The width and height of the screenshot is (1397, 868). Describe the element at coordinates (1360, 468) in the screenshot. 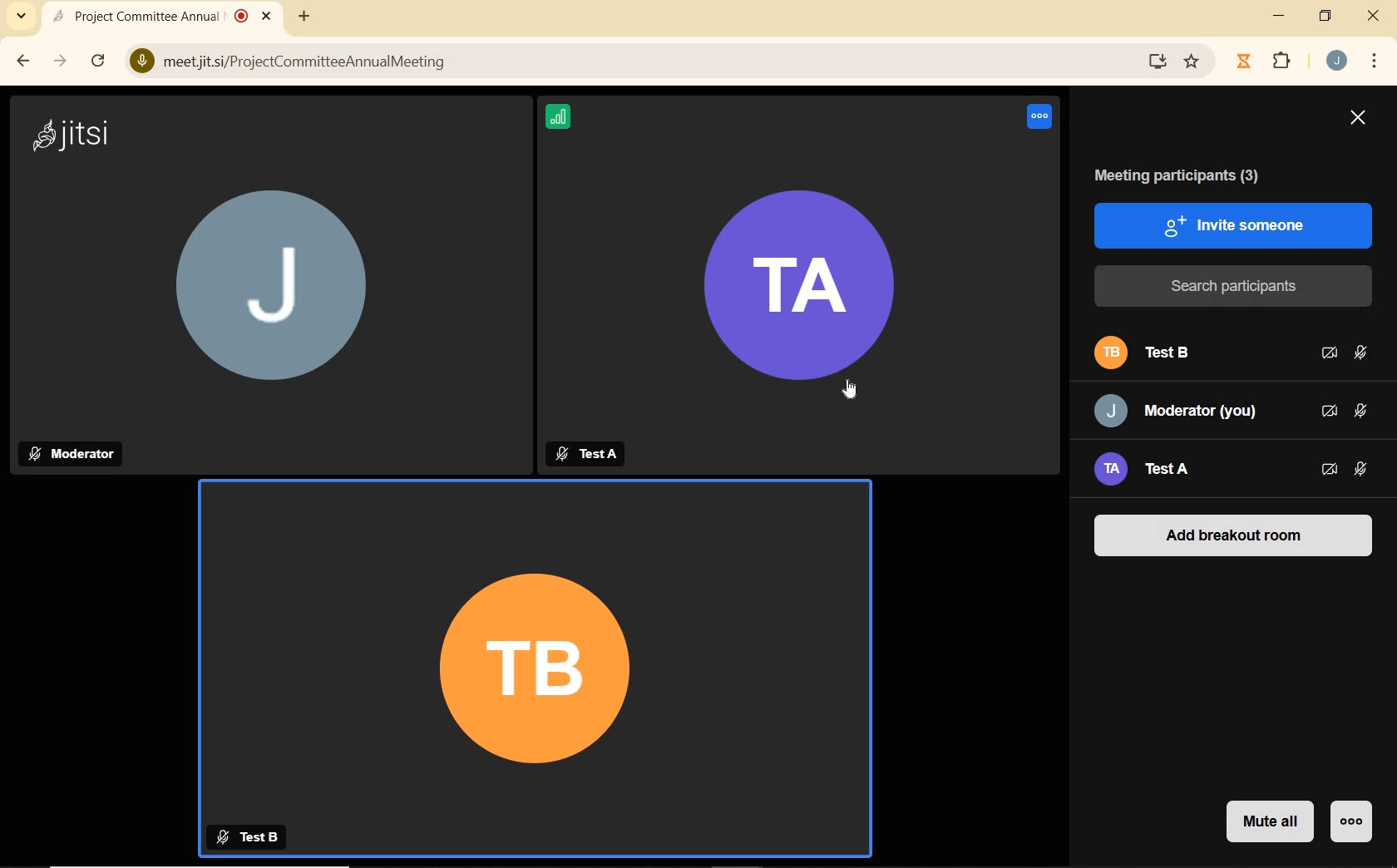

I see `MICROPHONE` at that location.